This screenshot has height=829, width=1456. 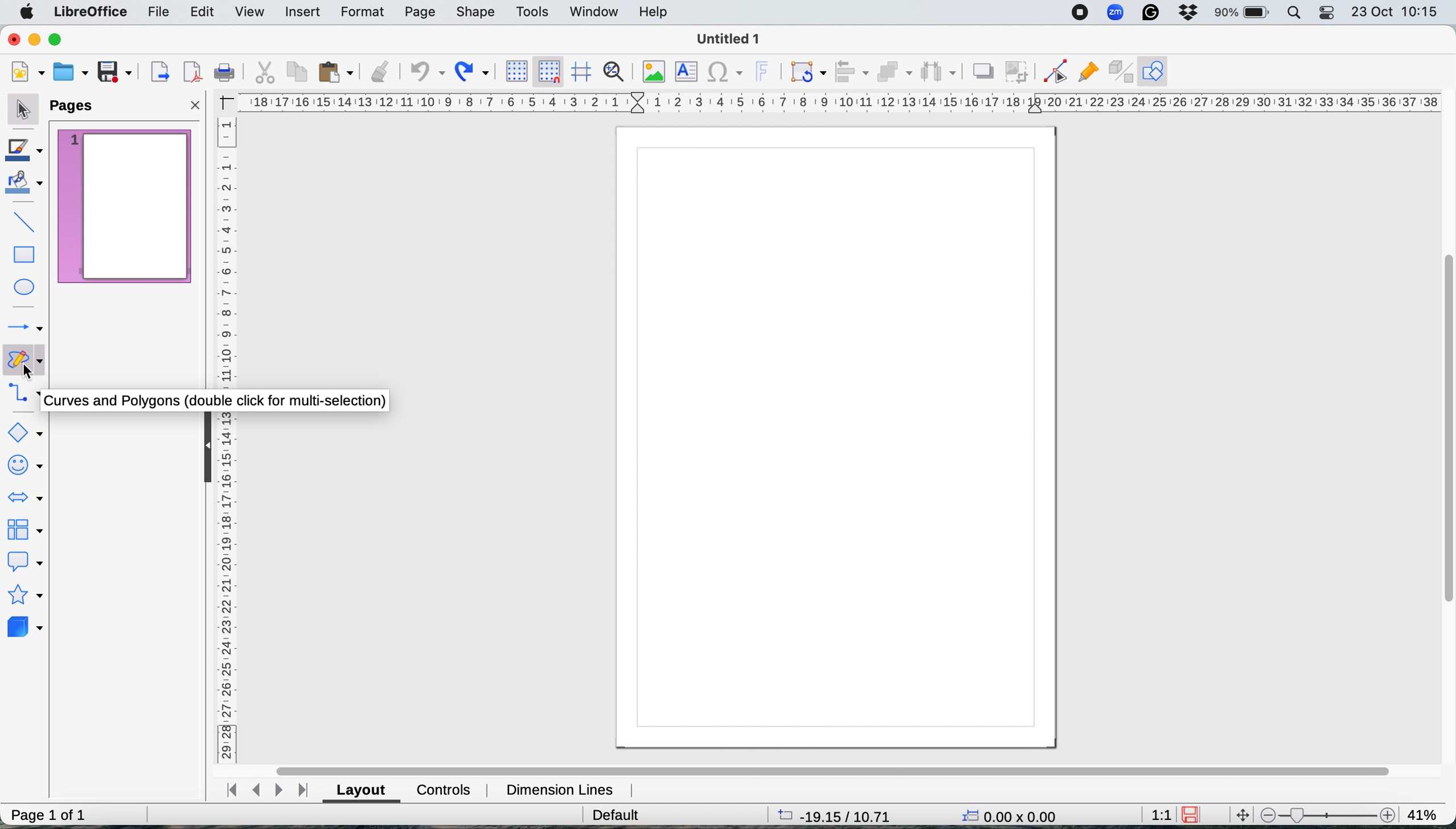 I want to click on battery, so click(x=1242, y=14).